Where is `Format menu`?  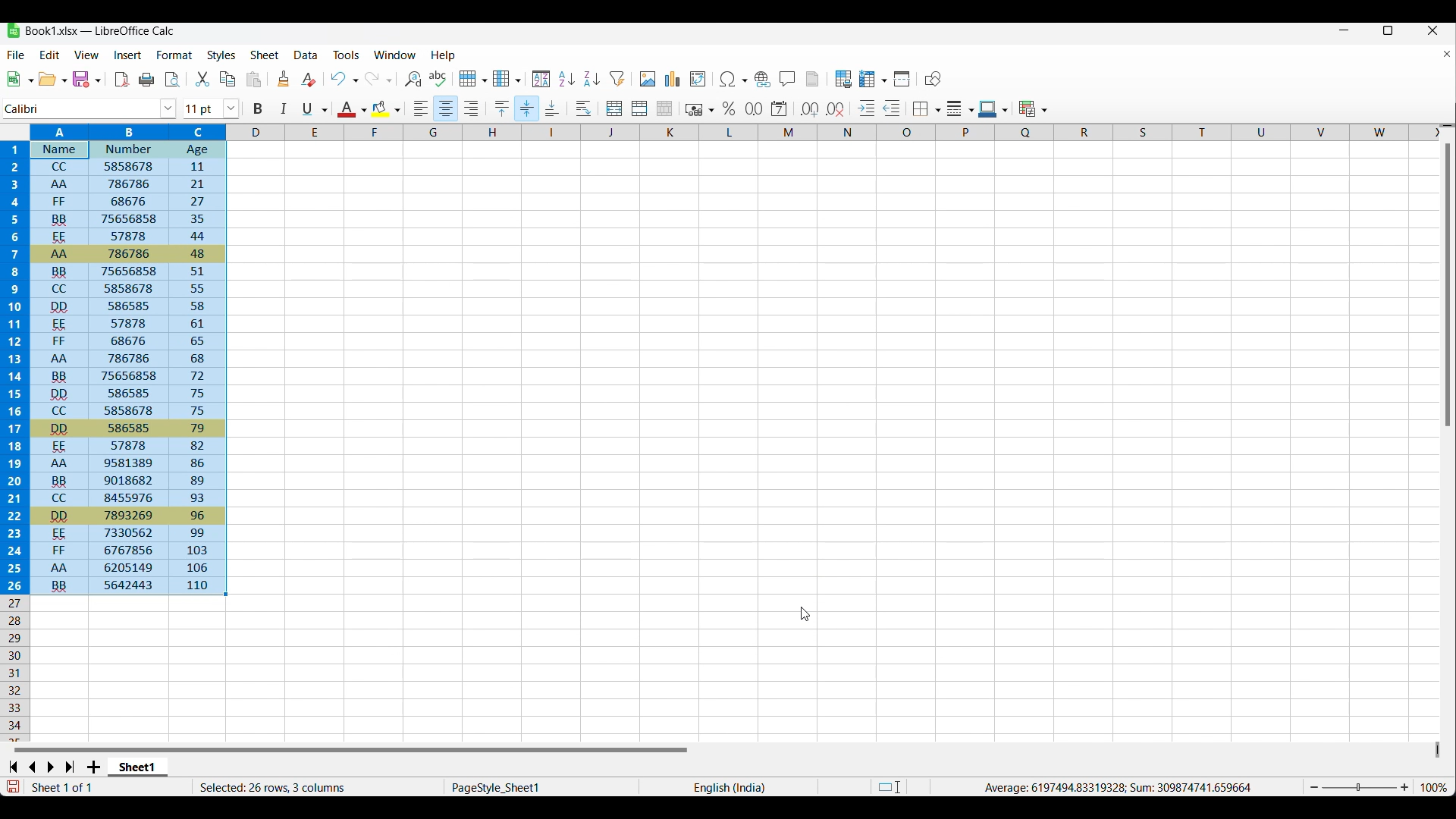 Format menu is located at coordinates (174, 55).